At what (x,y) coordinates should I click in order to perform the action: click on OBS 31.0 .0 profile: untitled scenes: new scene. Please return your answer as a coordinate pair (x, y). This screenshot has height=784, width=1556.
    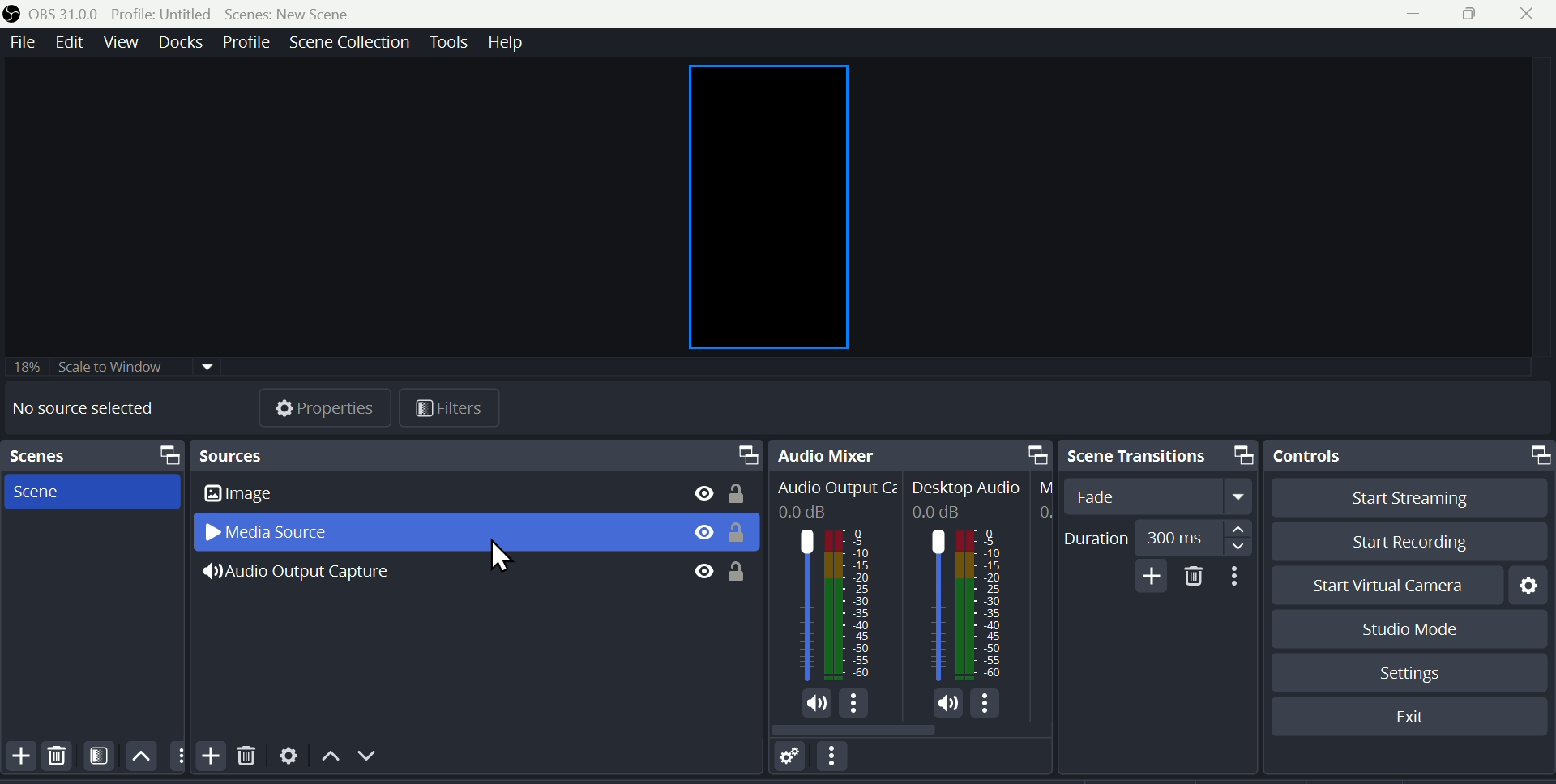
    Looking at the image, I should click on (194, 12).